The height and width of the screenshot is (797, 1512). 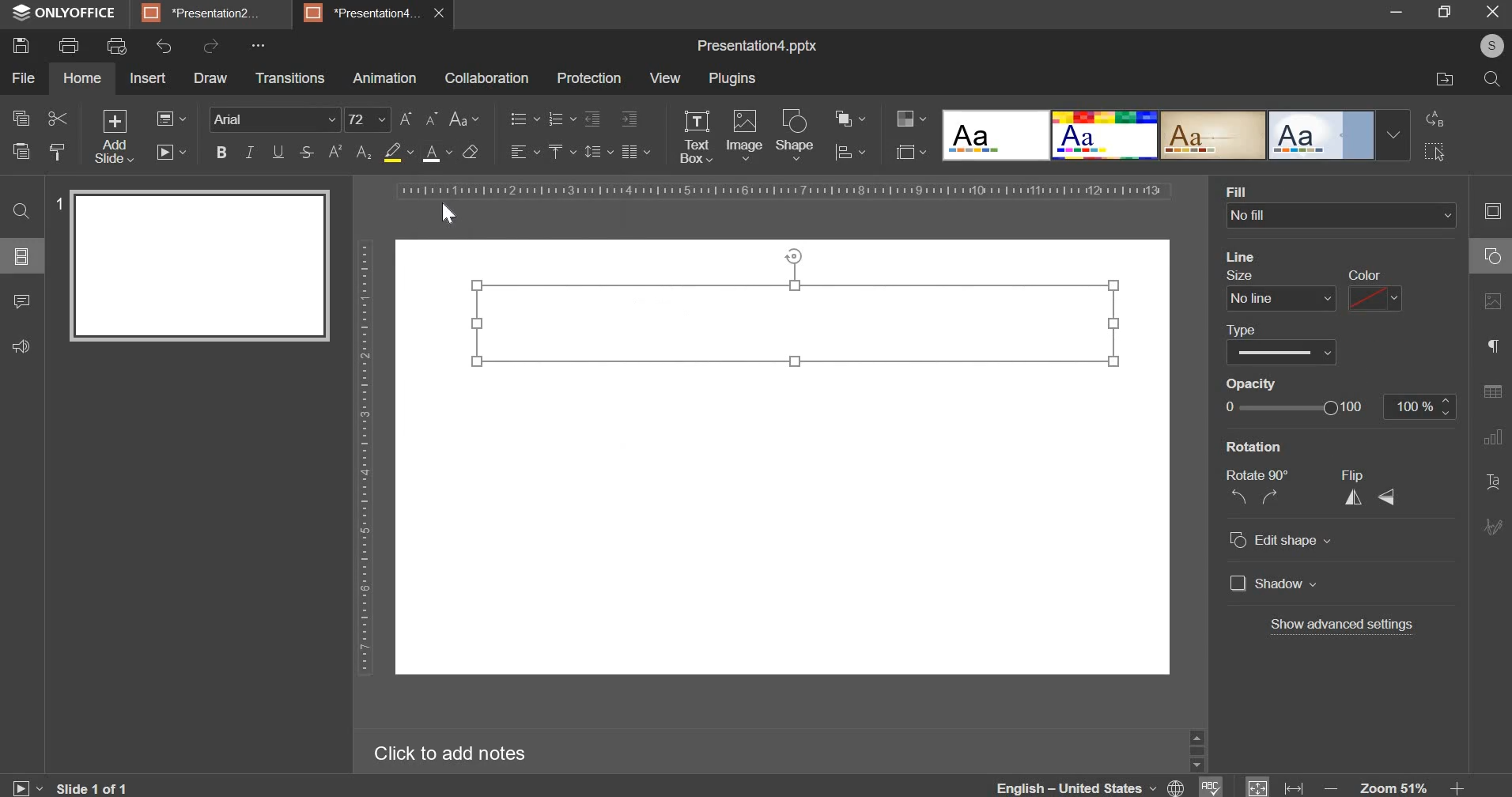 I want to click on print preview, so click(x=115, y=47).